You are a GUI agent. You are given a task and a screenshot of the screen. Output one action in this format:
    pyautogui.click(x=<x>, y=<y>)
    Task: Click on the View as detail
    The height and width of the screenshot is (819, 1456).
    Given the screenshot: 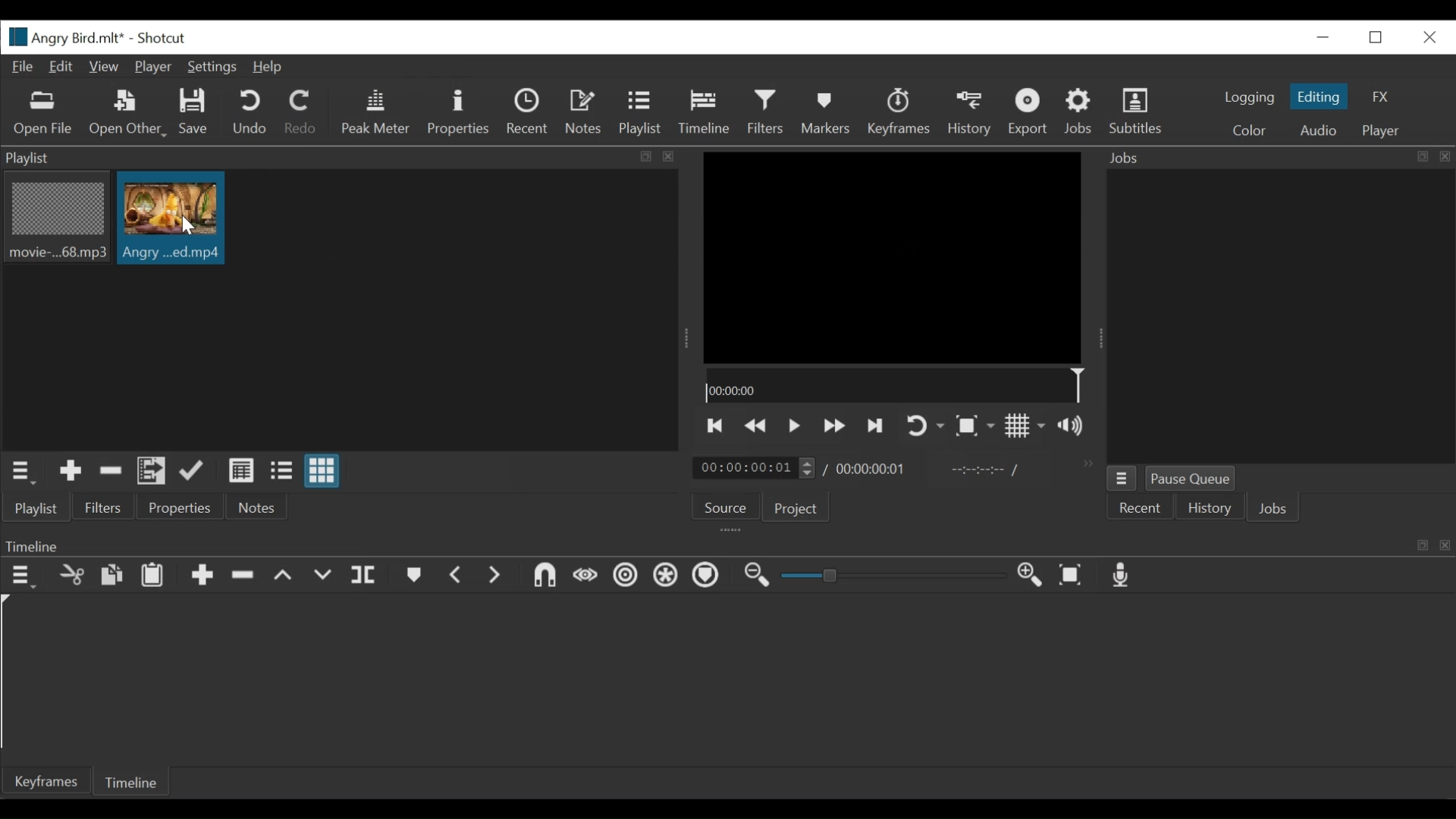 What is the action you would take?
    pyautogui.click(x=240, y=471)
    